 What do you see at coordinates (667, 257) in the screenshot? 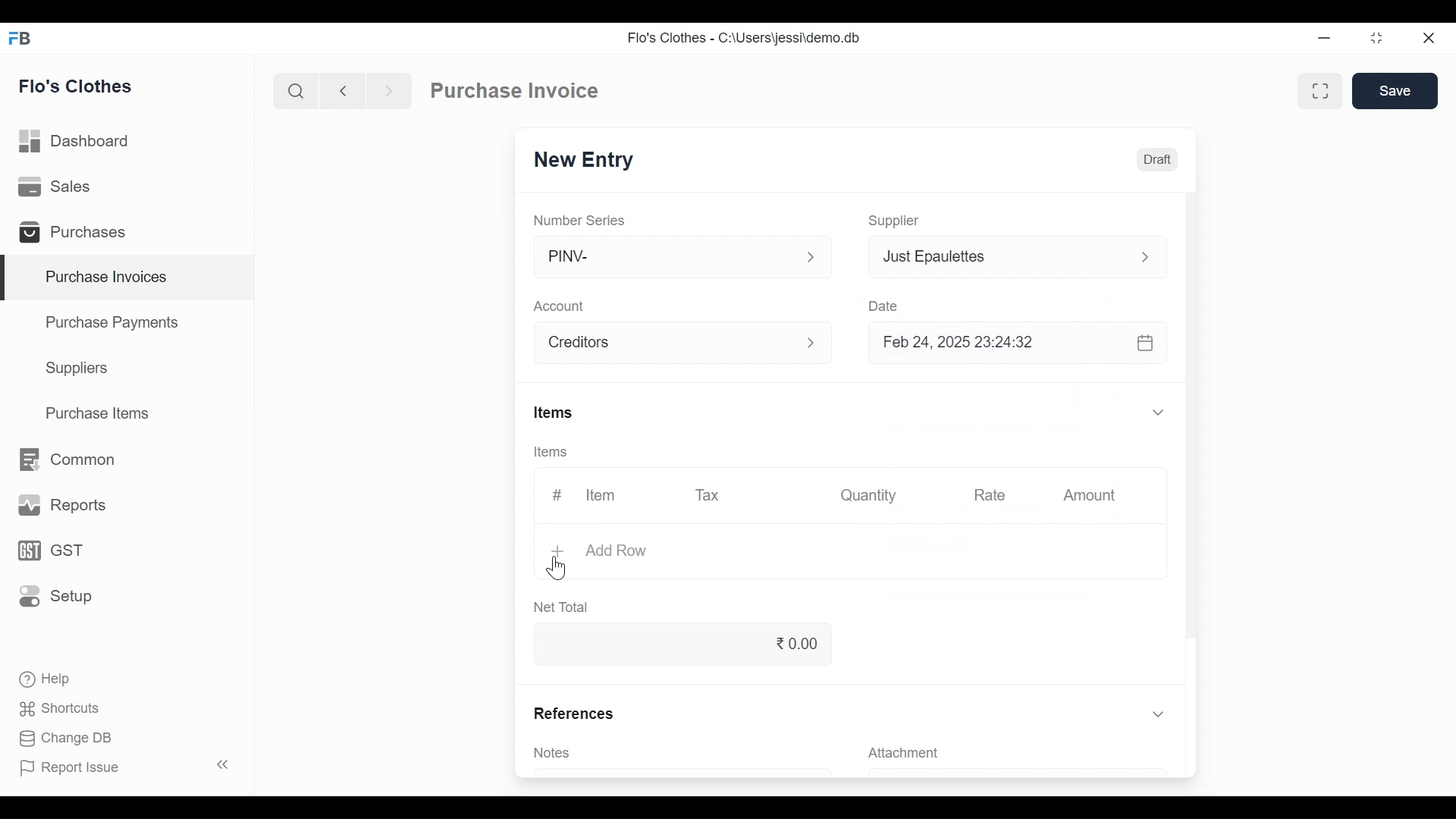
I see `PINV-` at bounding box center [667, 257].